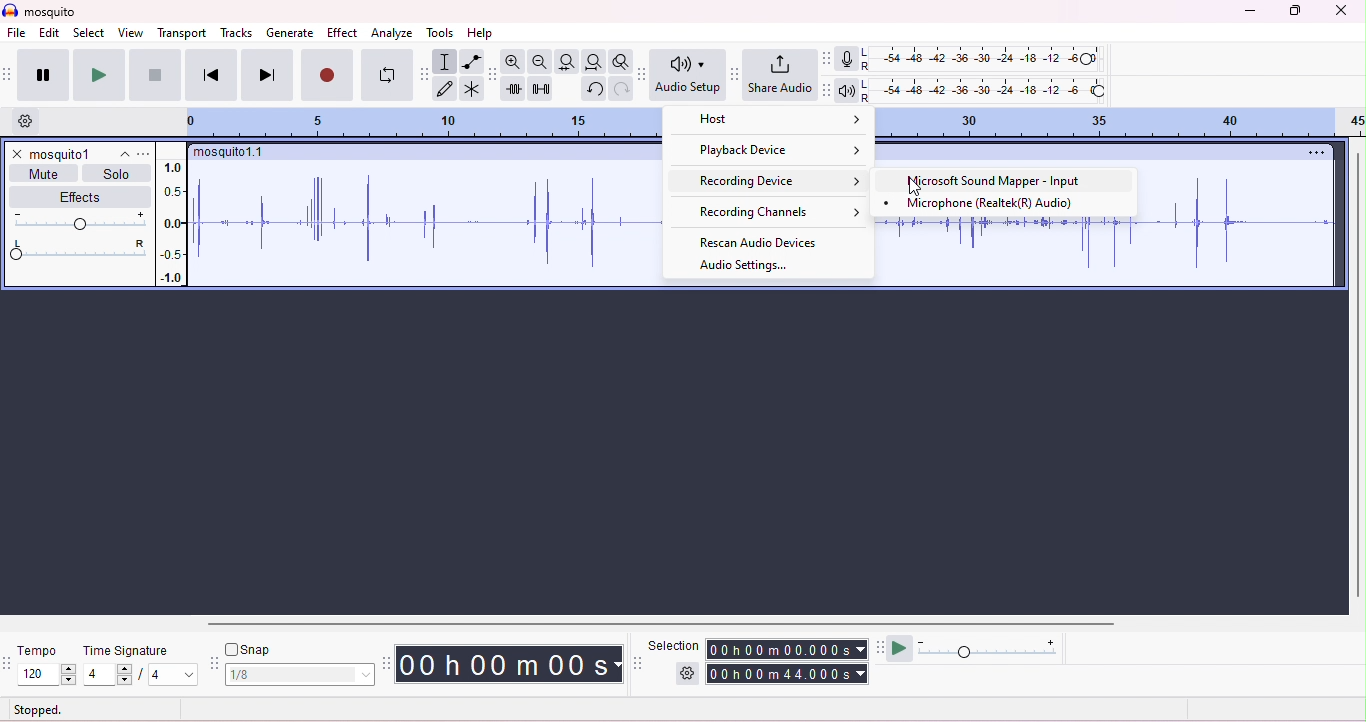 Image resolution: width=1366 pixels, height=722 pixels. Describe the element at coordinates (388, 663) in the screenshot. I see `time tool` at that location.